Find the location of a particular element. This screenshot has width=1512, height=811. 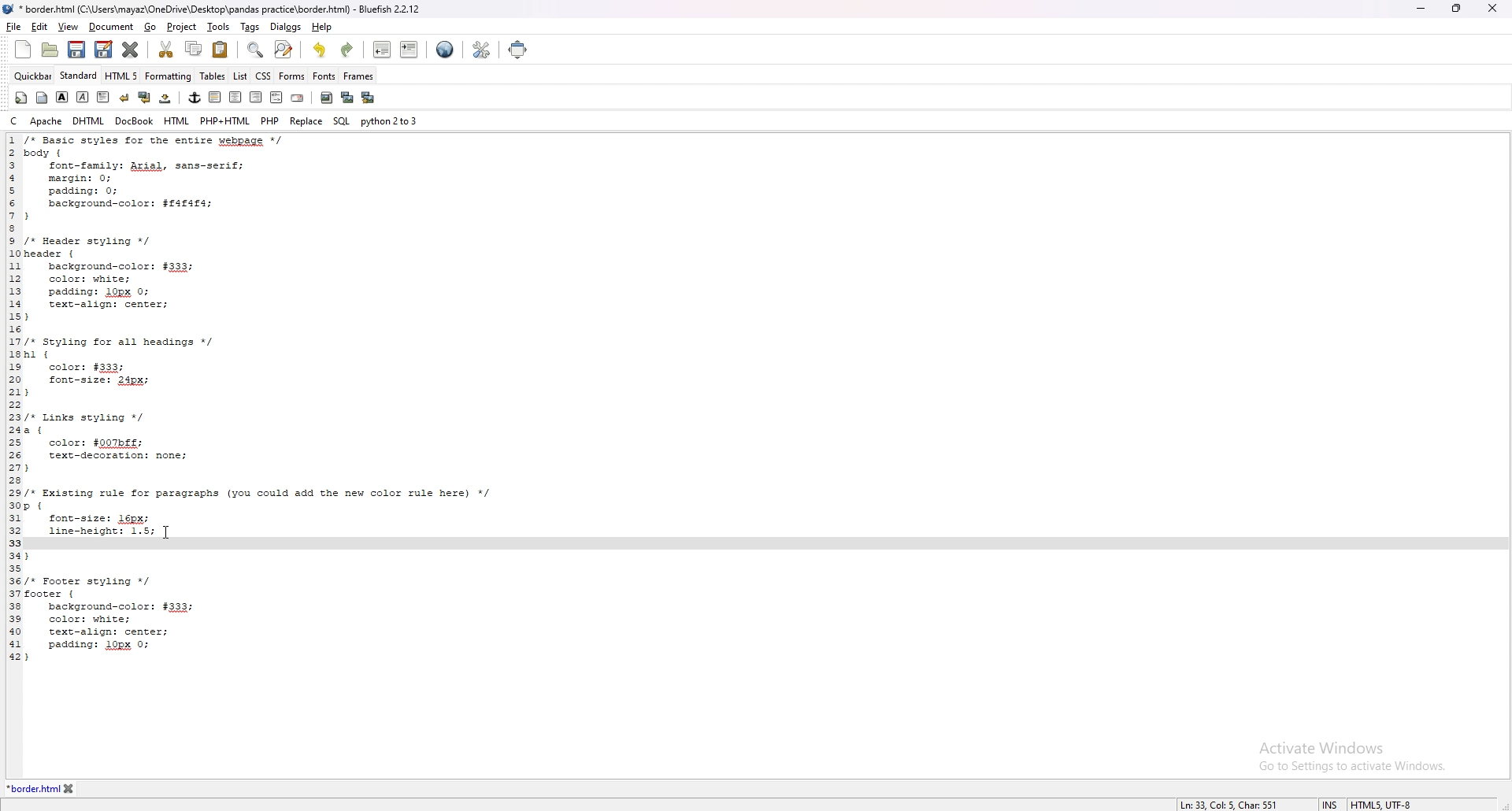

right justify is located at coordinates (258, 97).